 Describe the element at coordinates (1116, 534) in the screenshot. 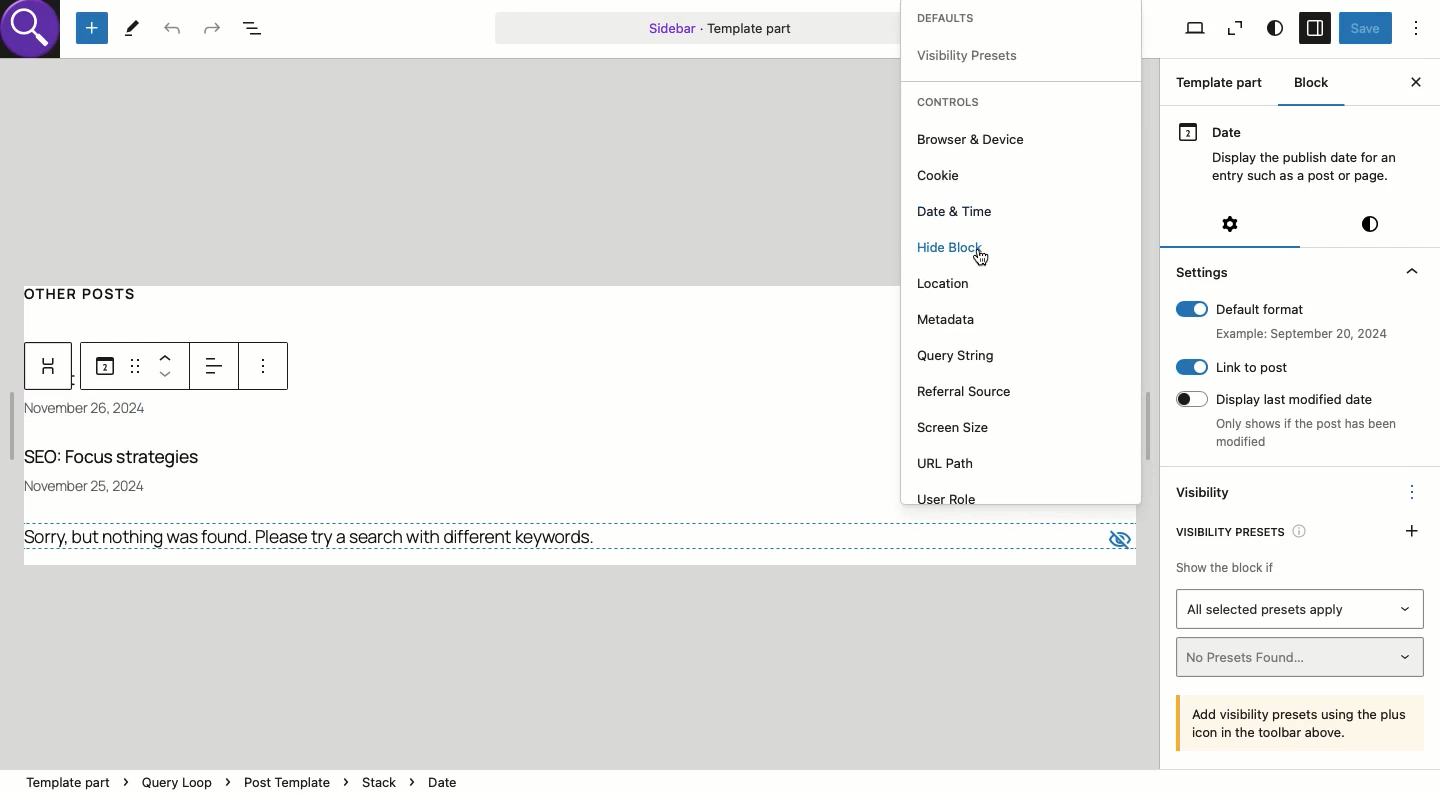

I see `view` at that location.